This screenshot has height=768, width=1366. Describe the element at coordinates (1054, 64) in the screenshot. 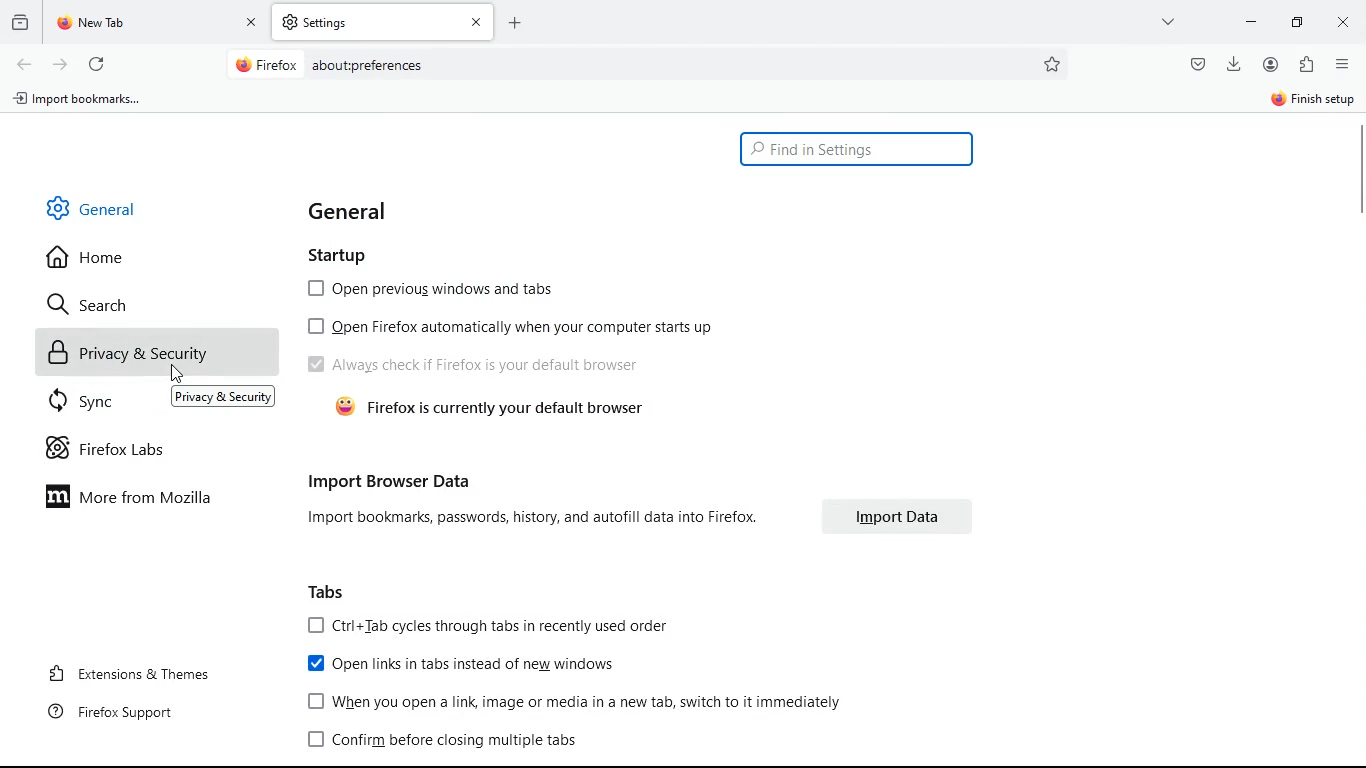

I see `preferences` at that location.